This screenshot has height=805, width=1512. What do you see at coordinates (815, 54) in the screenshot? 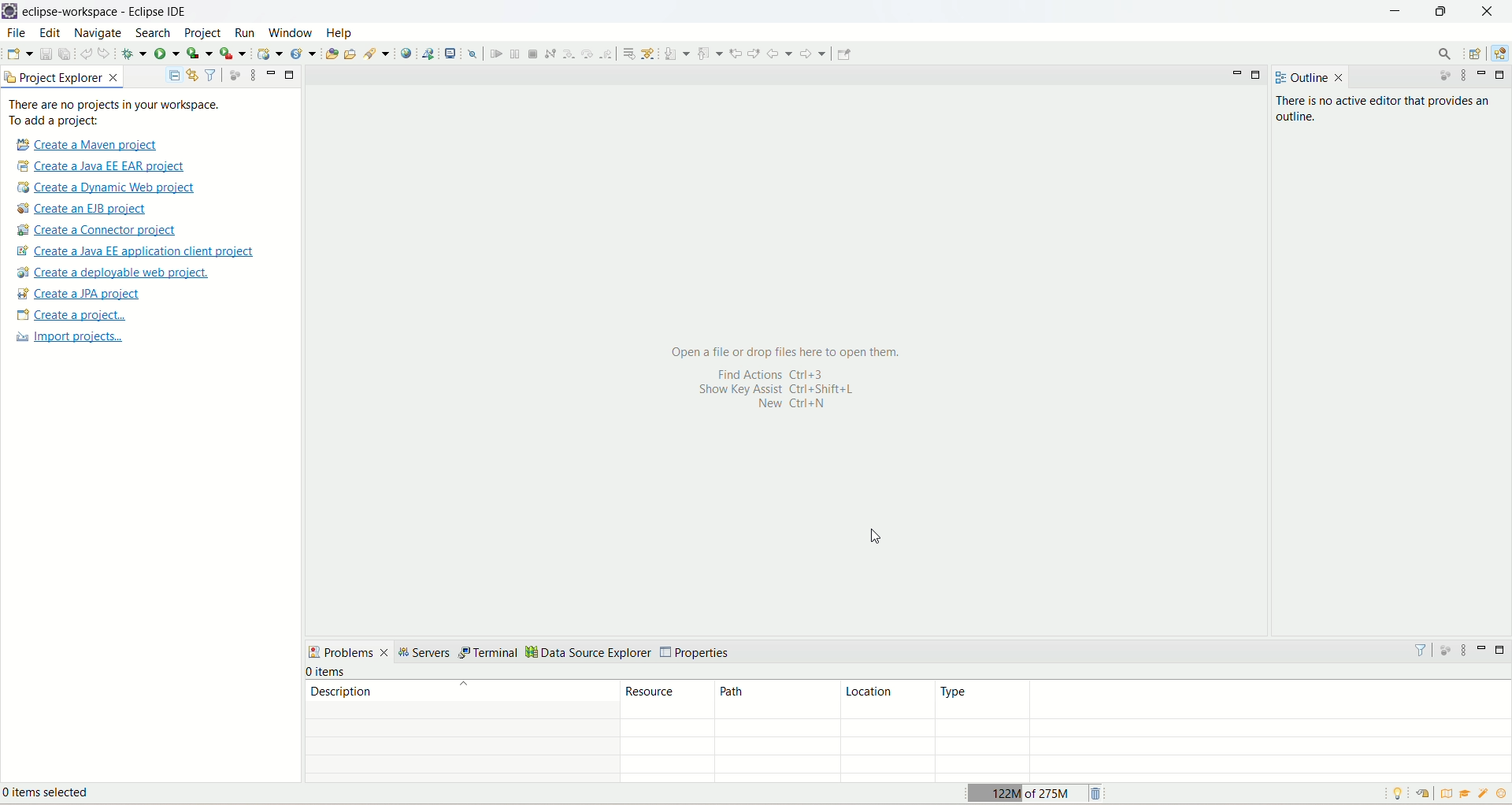
I see `forward` at bounding box center [815, 54].